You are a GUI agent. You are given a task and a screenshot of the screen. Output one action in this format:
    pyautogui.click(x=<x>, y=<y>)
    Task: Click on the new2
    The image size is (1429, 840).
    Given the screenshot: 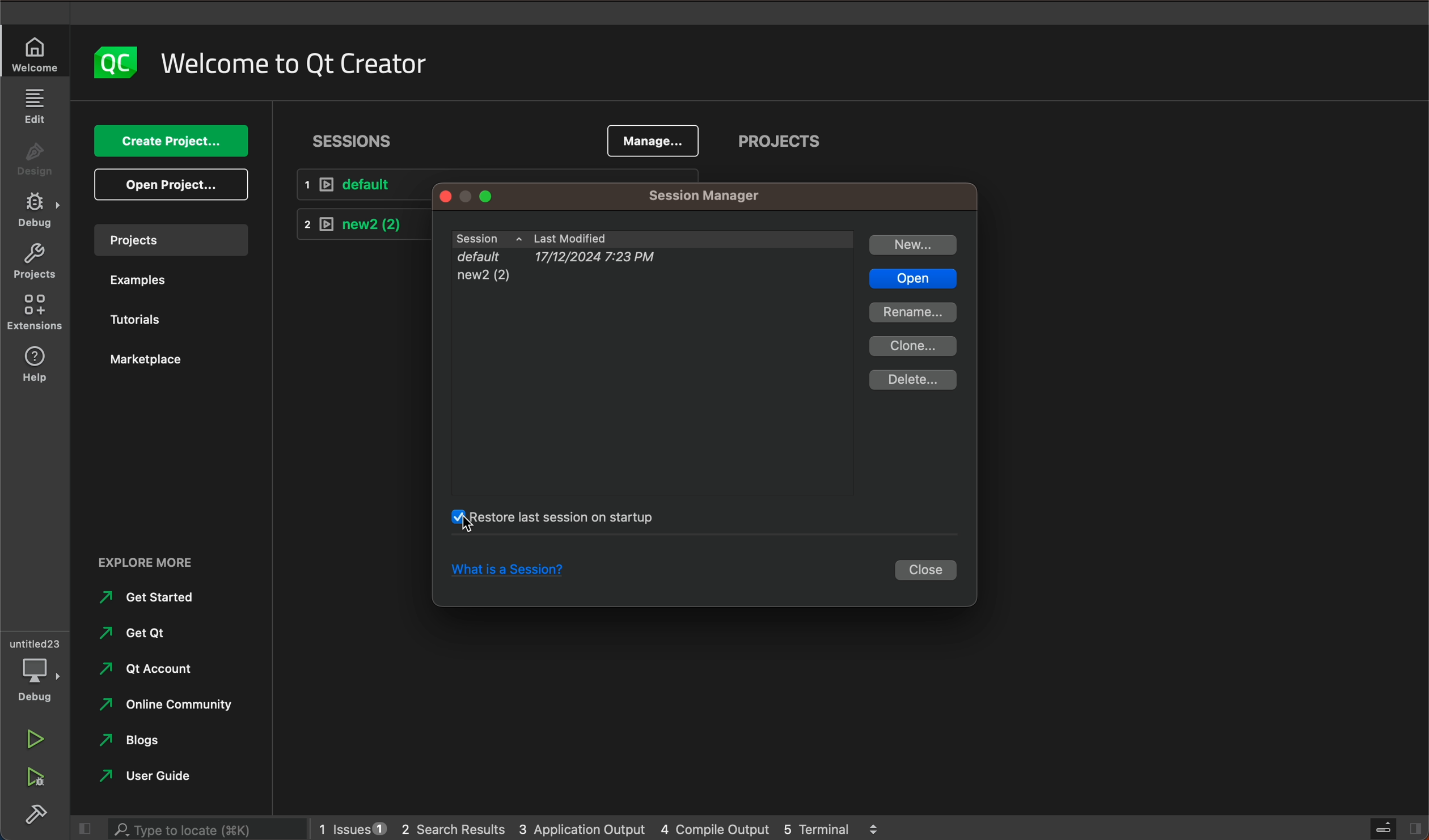 What is the action you would take?
    pyautogui.click(x=599, y=279)
    